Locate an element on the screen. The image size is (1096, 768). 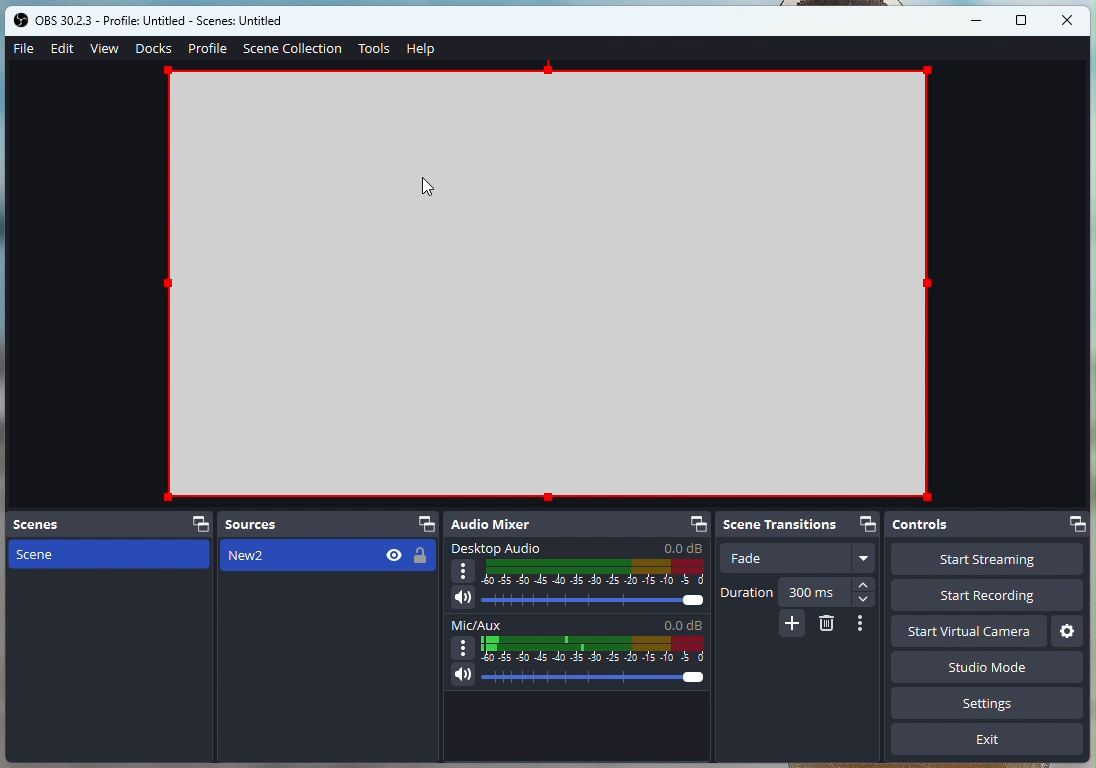
cursor is located at coordinates (429, 189).